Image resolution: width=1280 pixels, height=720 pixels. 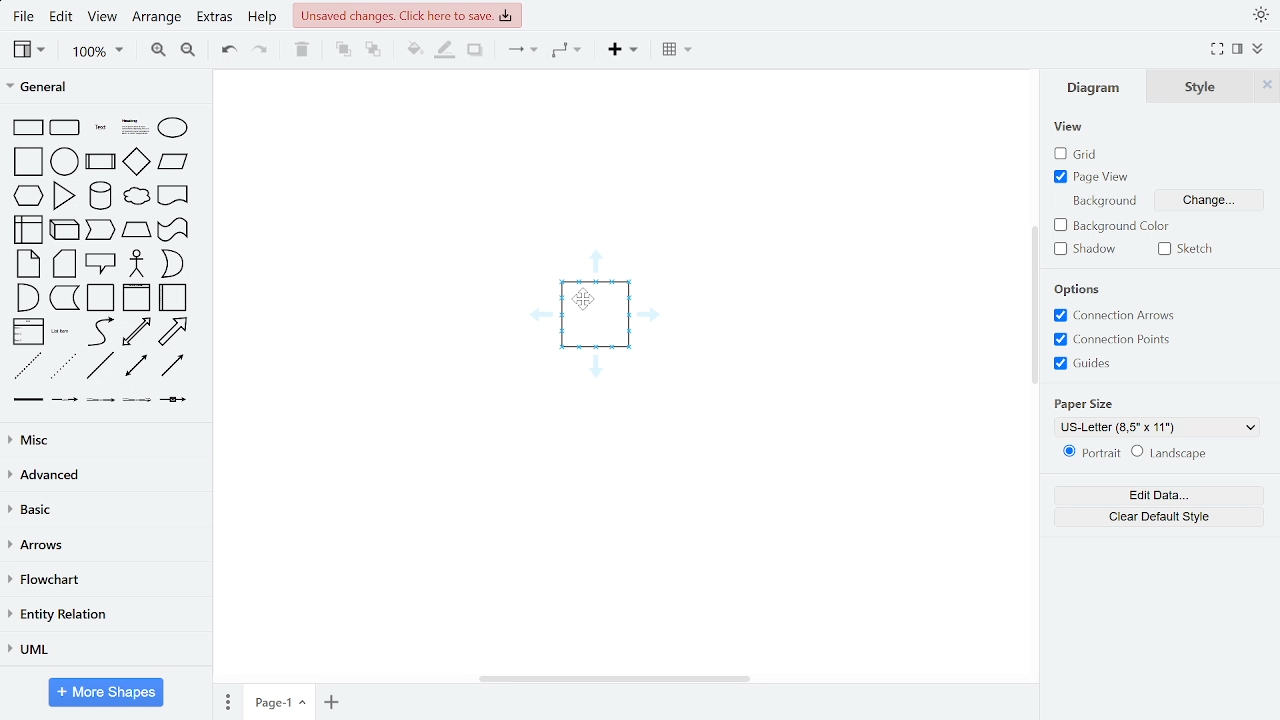 I want to click on general shapes, so click(x=134, y=365).